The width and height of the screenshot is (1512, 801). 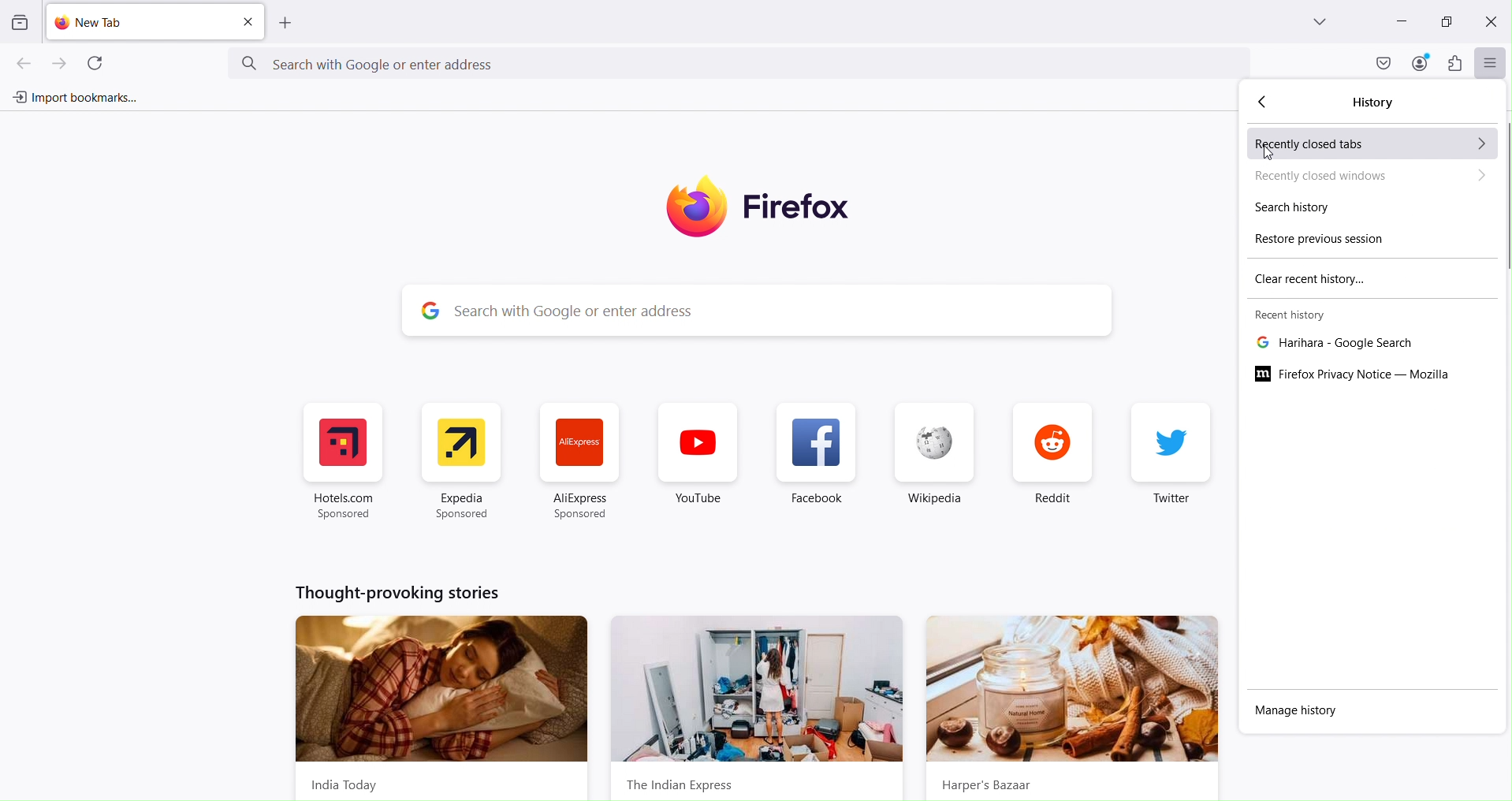 I want to click on Firefox logo, so click(x=769, y=207).